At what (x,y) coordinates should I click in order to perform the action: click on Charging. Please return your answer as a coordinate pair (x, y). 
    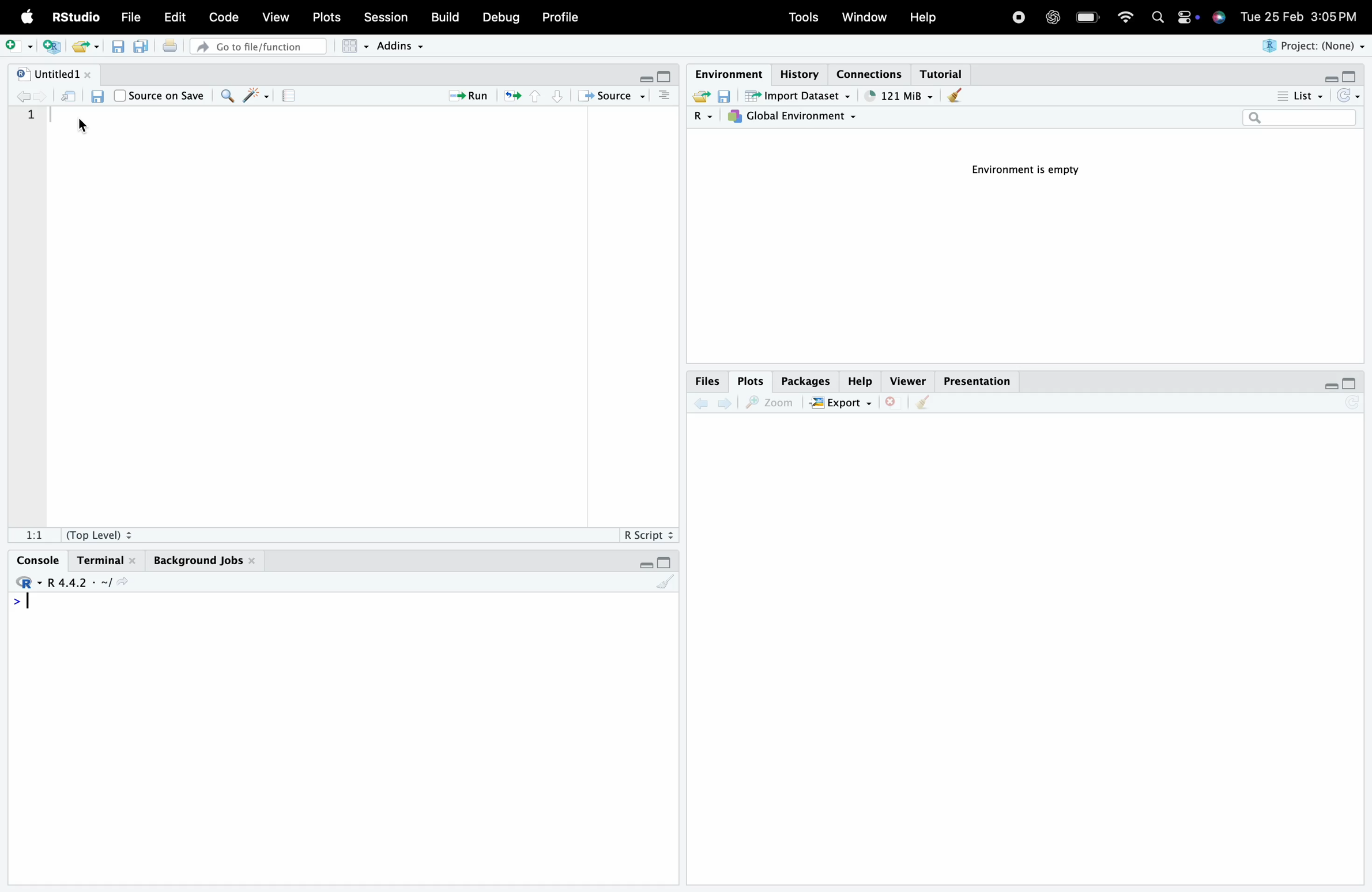
    Looking at the image, I should click on (1088, 17).